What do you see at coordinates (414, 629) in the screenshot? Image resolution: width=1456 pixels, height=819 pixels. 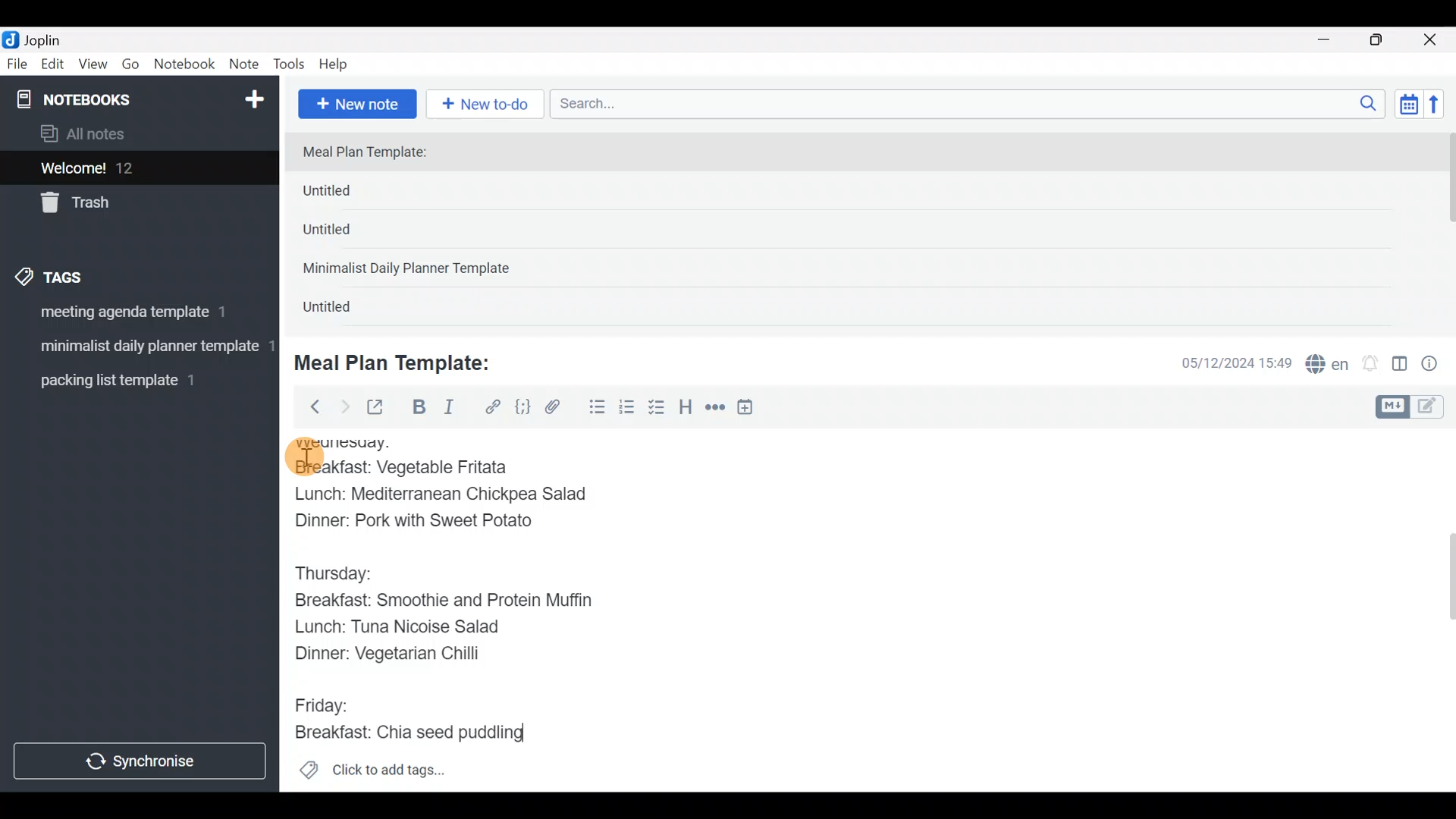 I see `Lunch: Tuna Nicoise Salad` at bounding box center [414, 629].